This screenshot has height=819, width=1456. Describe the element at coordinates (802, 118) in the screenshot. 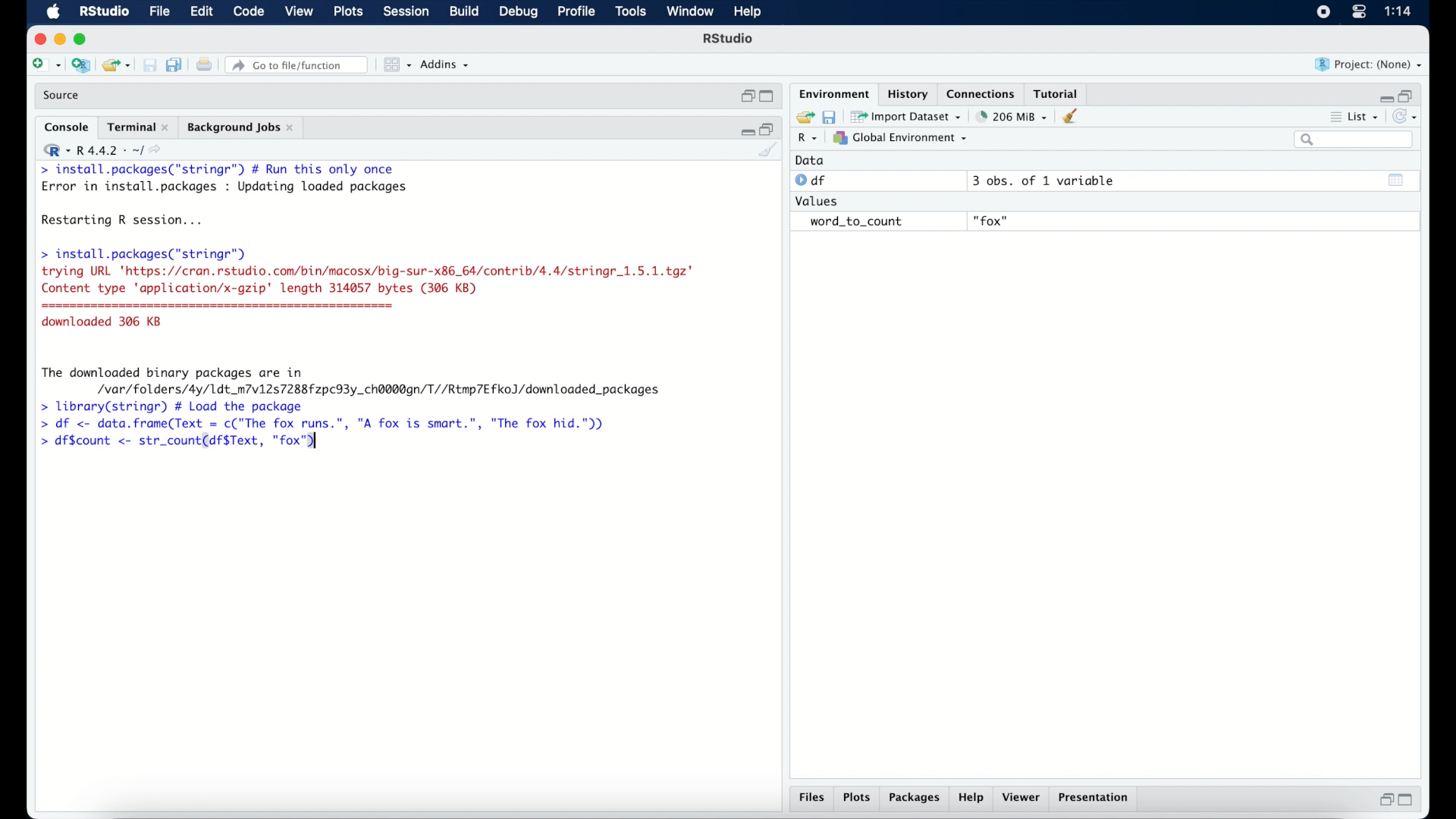

I see `load workspace` at that location.